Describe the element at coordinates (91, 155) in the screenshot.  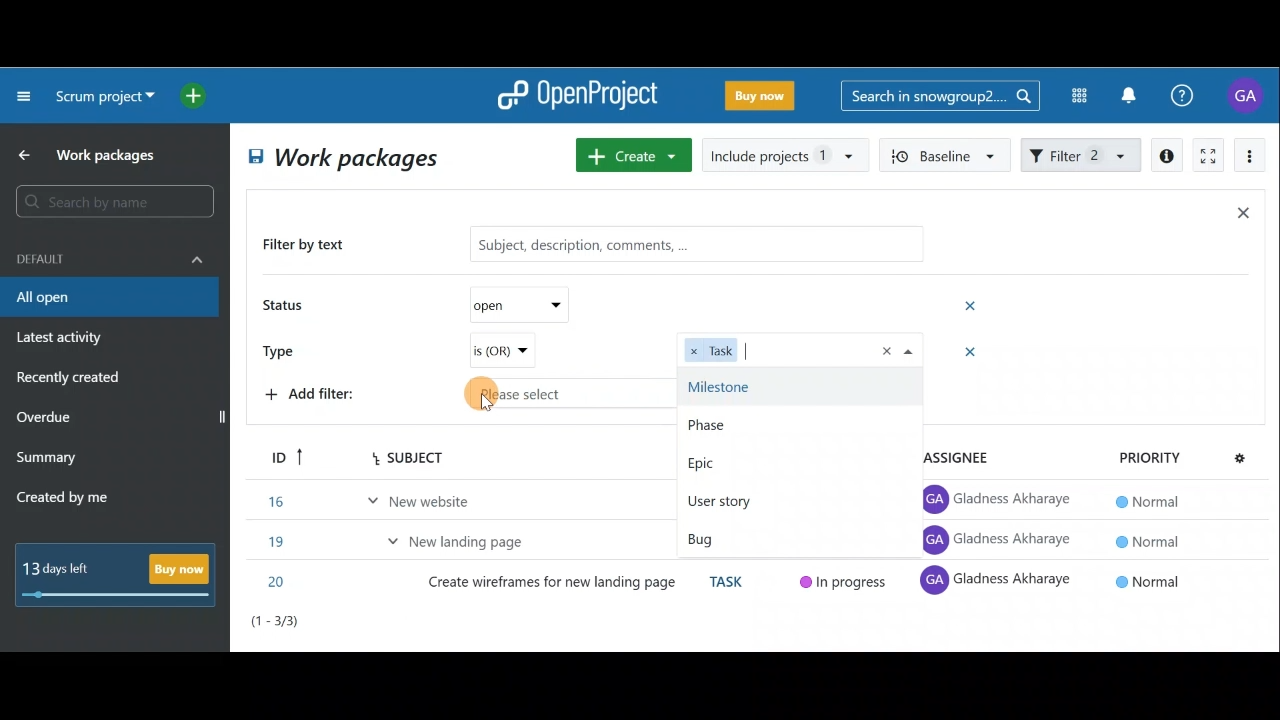
I see `Work packages` at that location.